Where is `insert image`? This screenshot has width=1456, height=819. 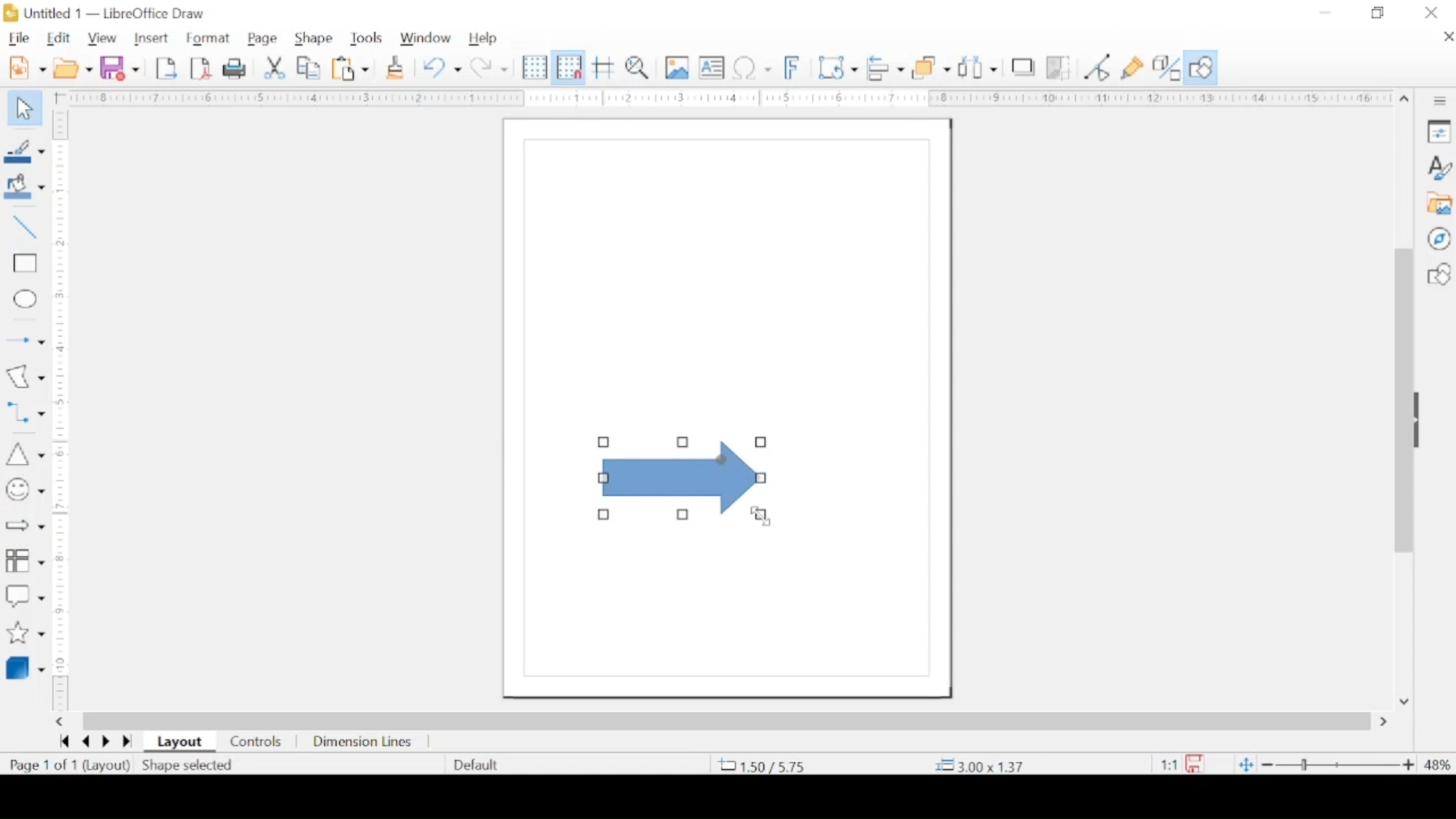
insert image is located at coordinates (677, 67).